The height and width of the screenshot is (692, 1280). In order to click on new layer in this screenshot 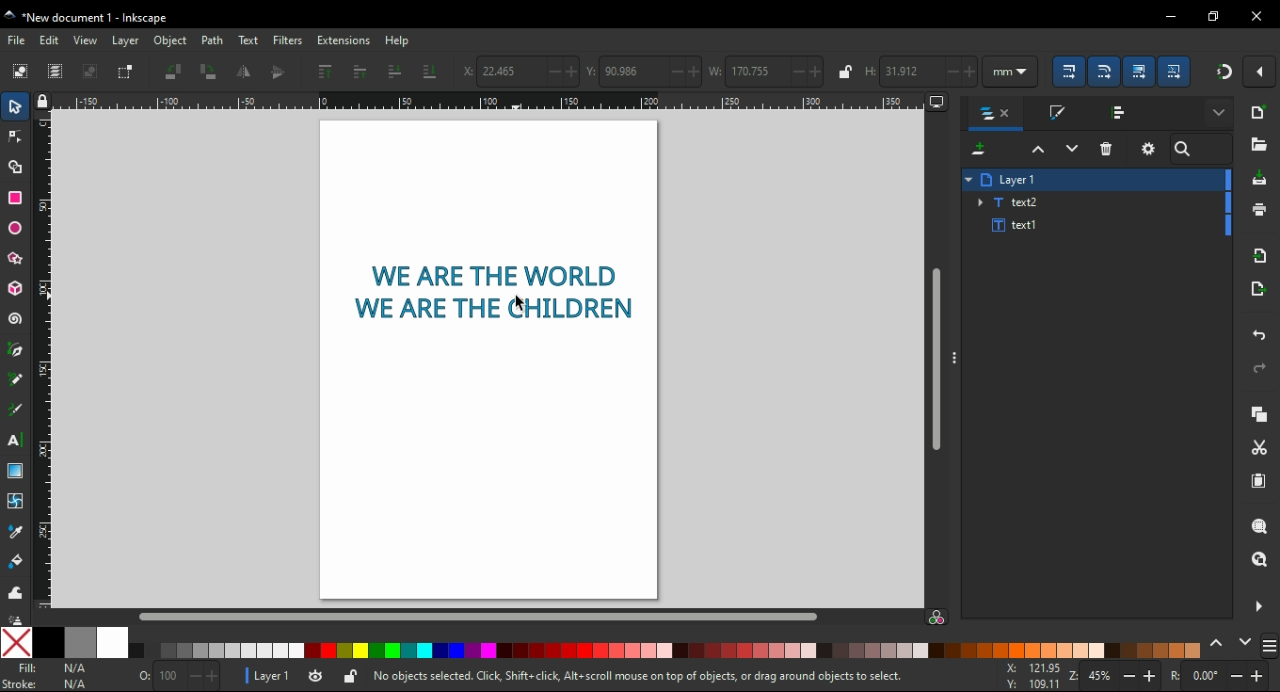, I will do `click(978, 149)`.